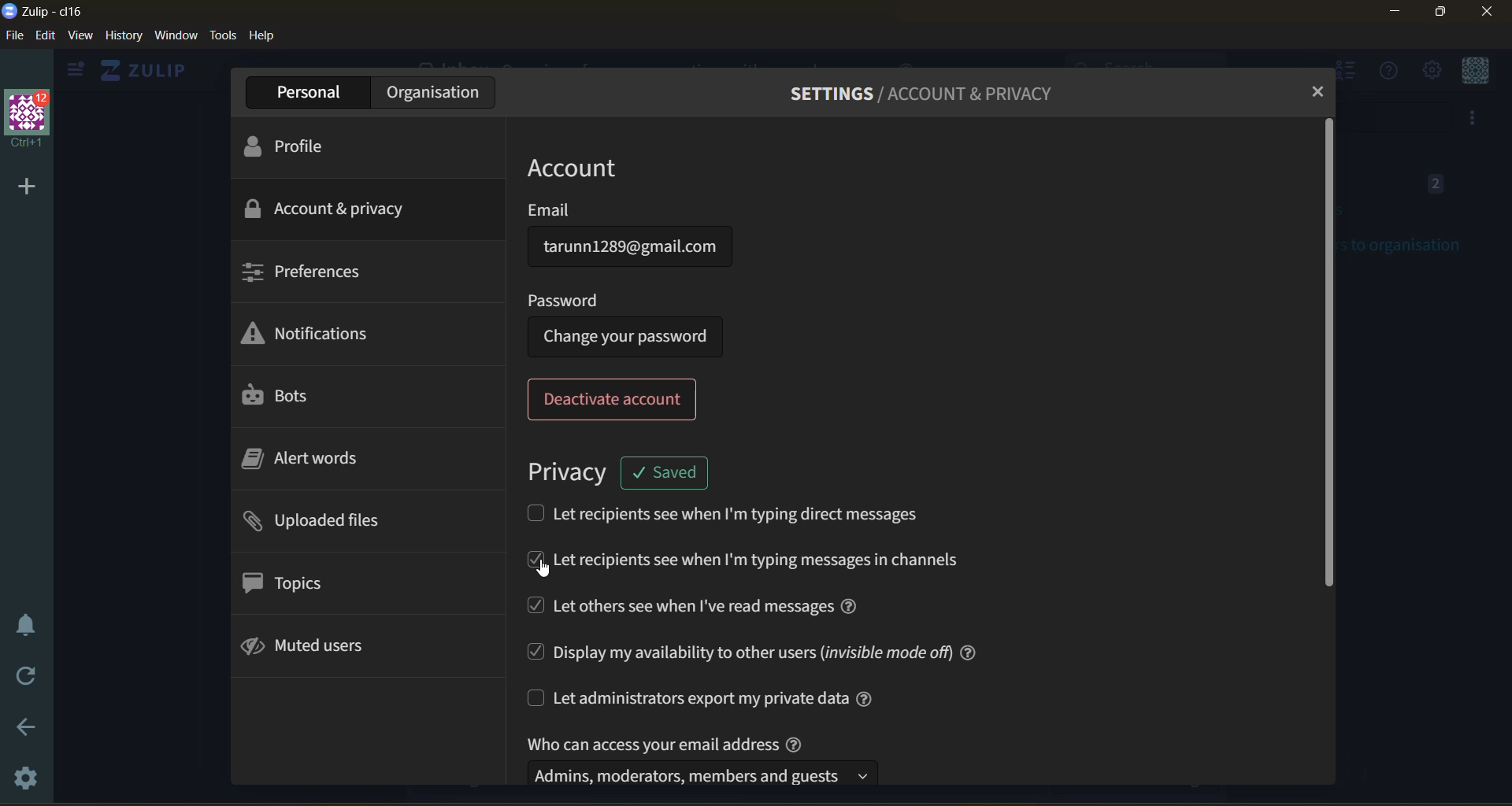 This screenshot has width=1512, height=806. What do you see at coordinates (292, 145) in the screenshot?
I see `profile` at bounding box center [292, 145].